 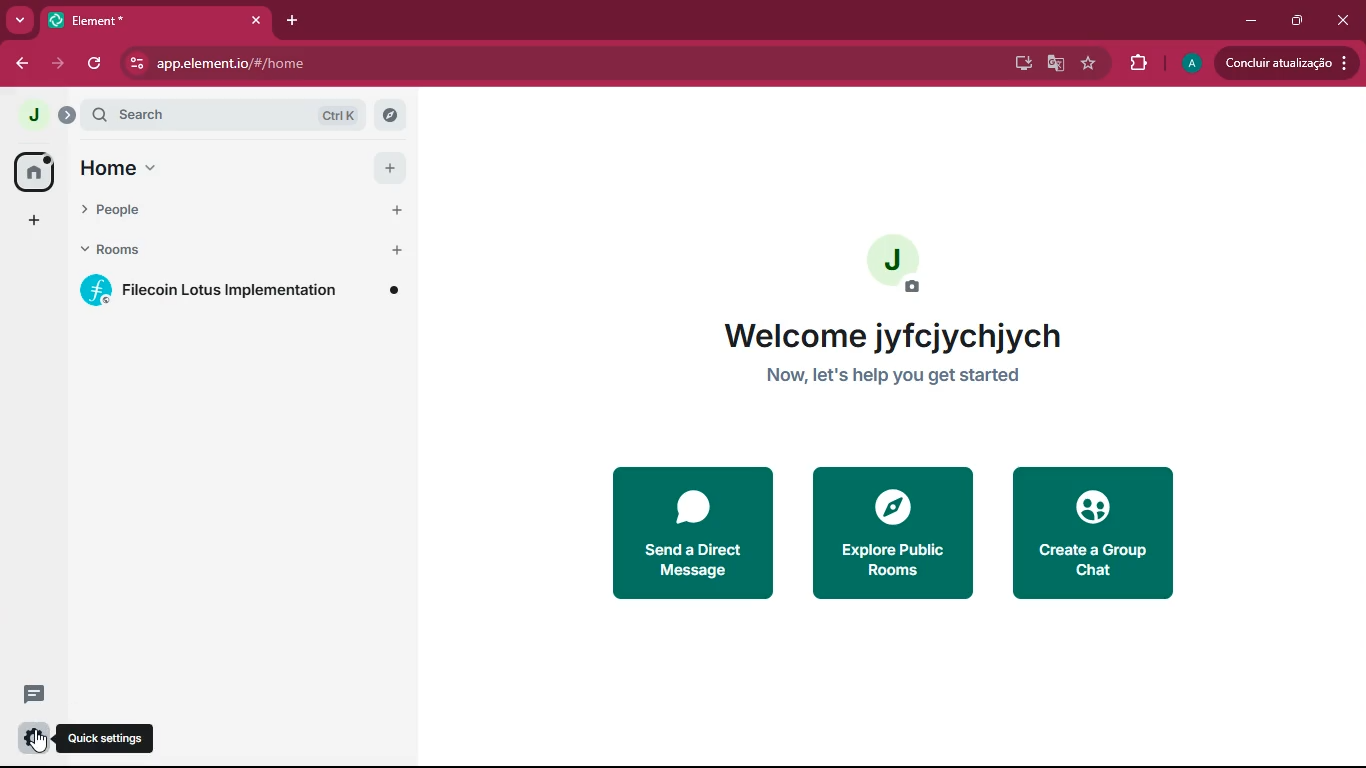 I want to click on update, so click(x=1284, y=62).